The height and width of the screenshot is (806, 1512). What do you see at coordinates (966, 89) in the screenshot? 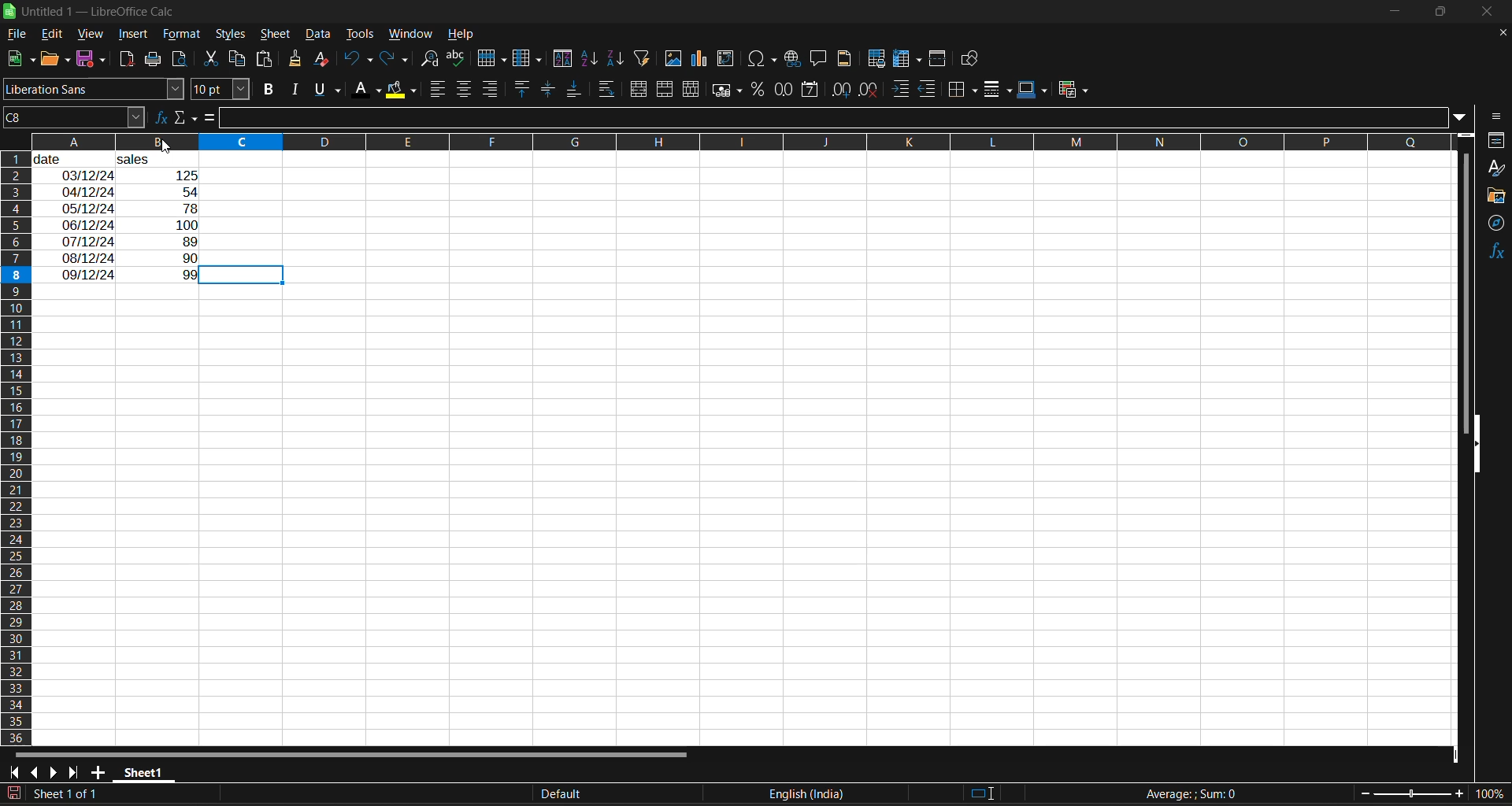
I see `borders` at bounding box center [966, 89].